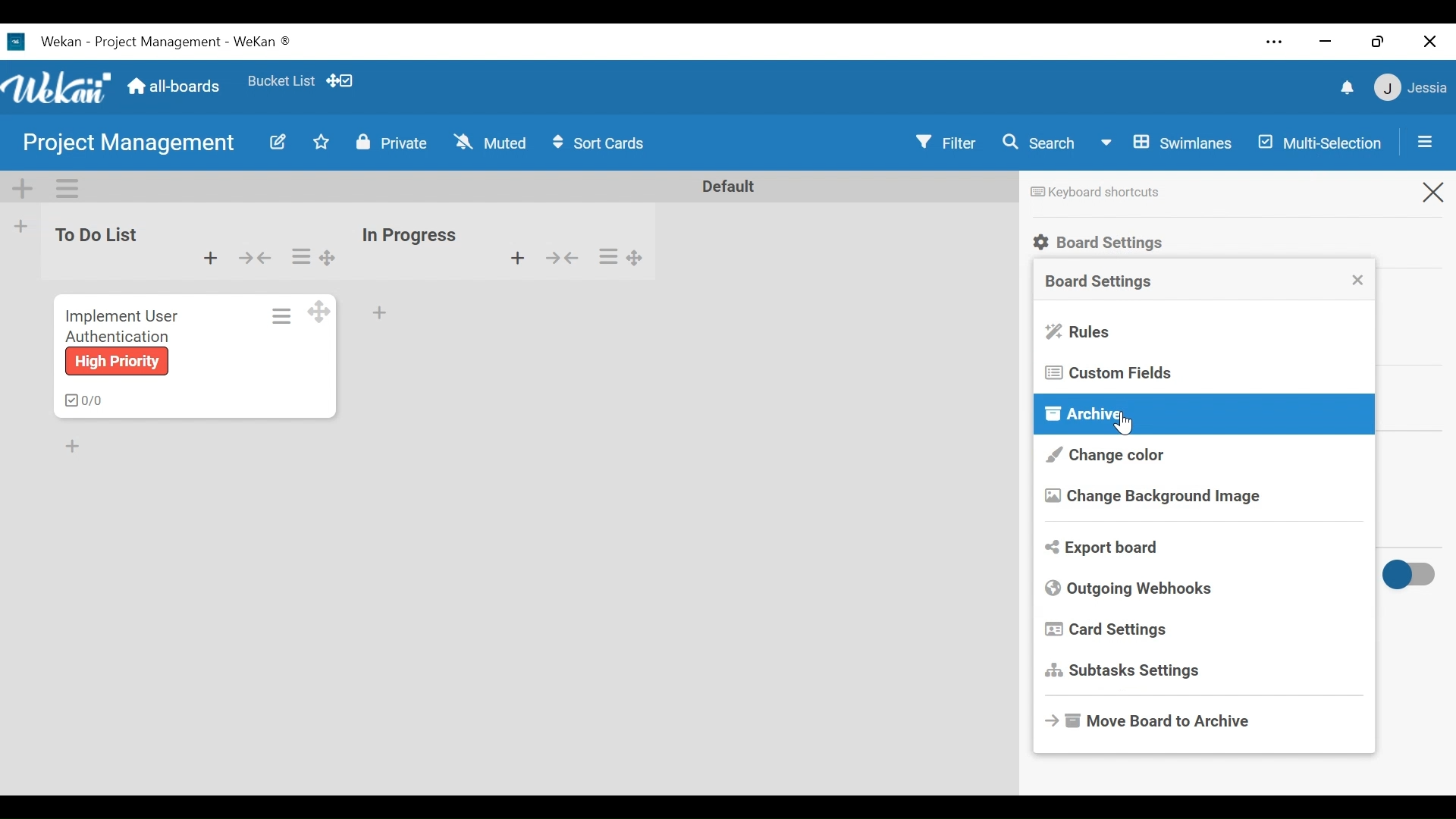 This screenshot has height=819, width=1456. I want to click on Add Card to top of the list, so click(211, 258).